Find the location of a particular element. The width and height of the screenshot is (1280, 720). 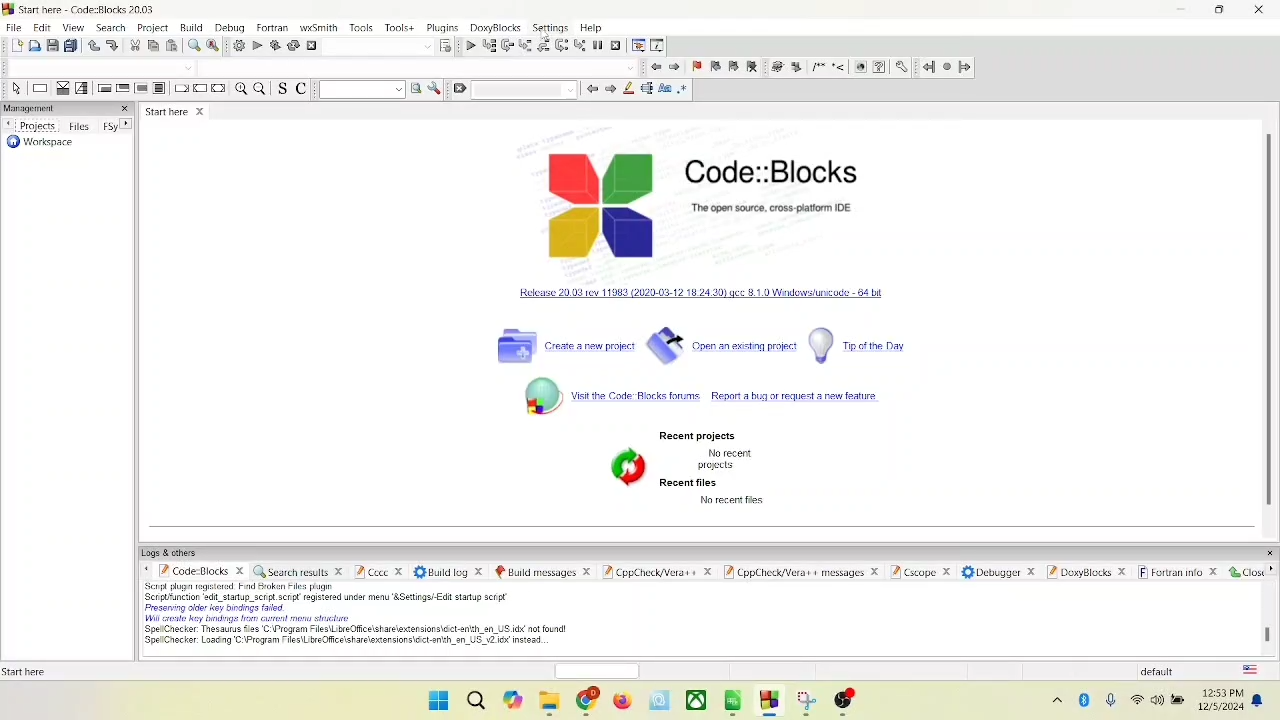

close is located at coordinates (199, 110).